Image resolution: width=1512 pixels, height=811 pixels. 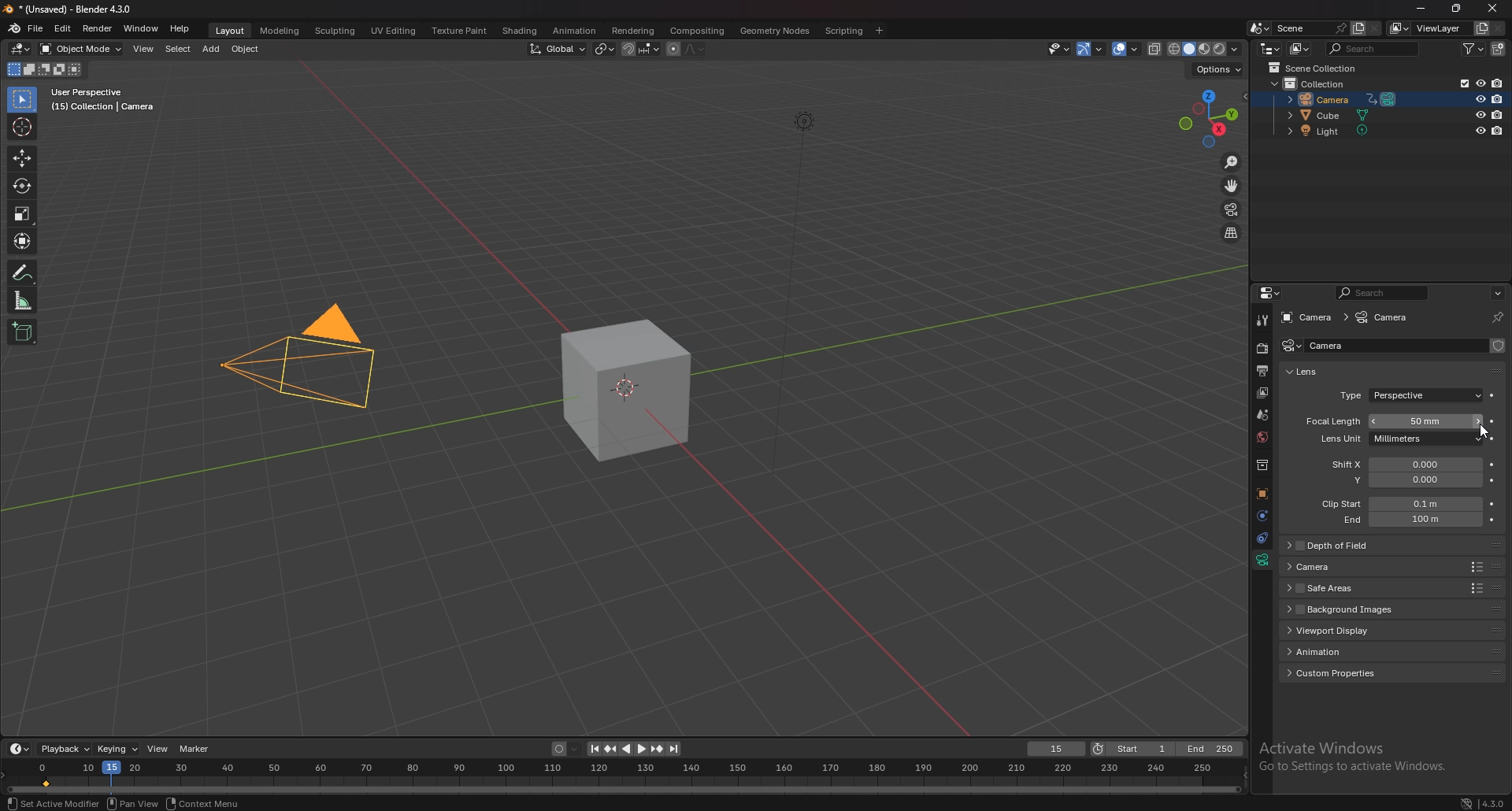 What do you see at coordinates (784, 294) in the screenshot?
I see `` at bounding box center [784, 294].